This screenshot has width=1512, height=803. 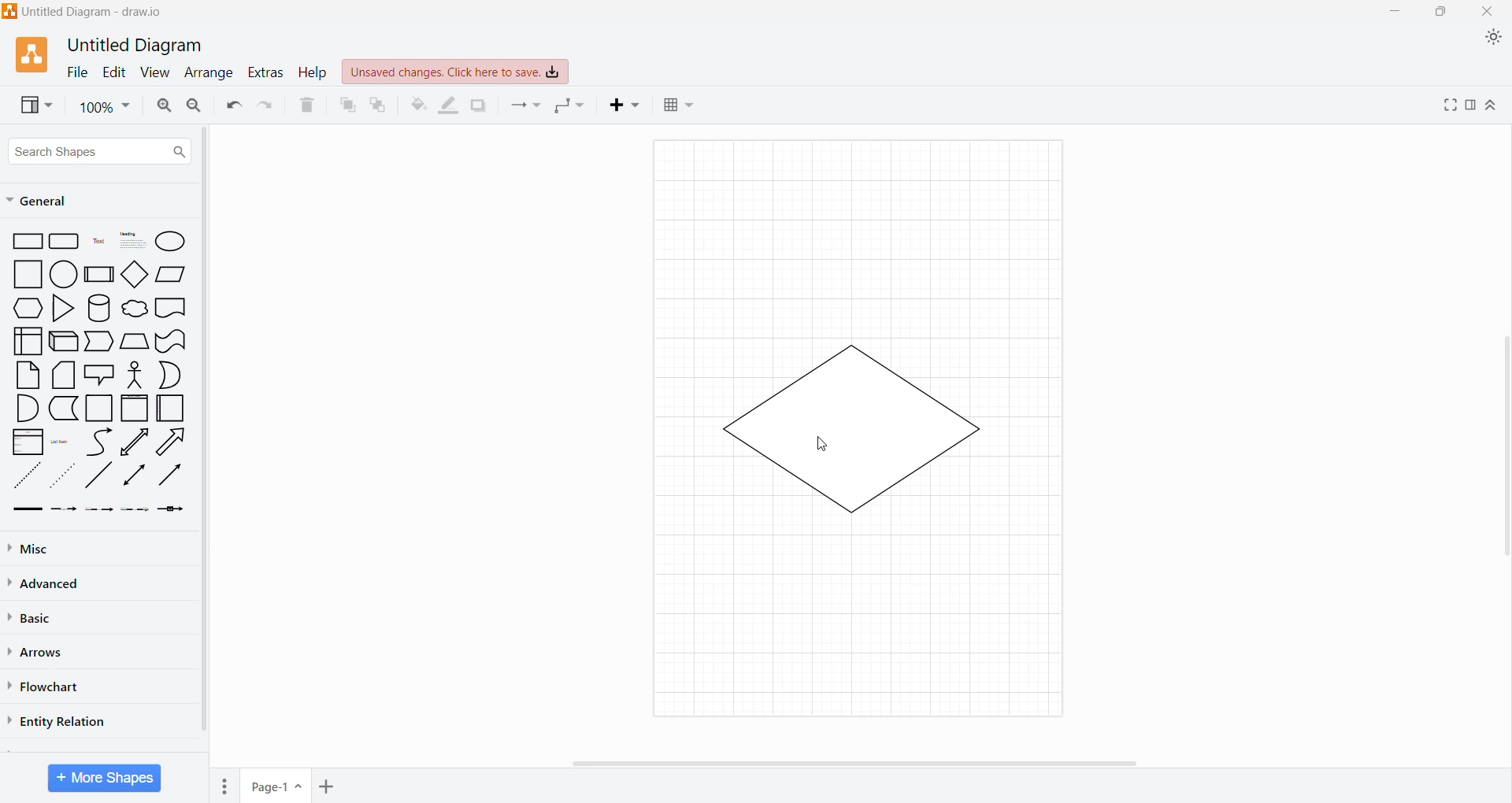 I want to click on Delete, so click(x=308, y=105).